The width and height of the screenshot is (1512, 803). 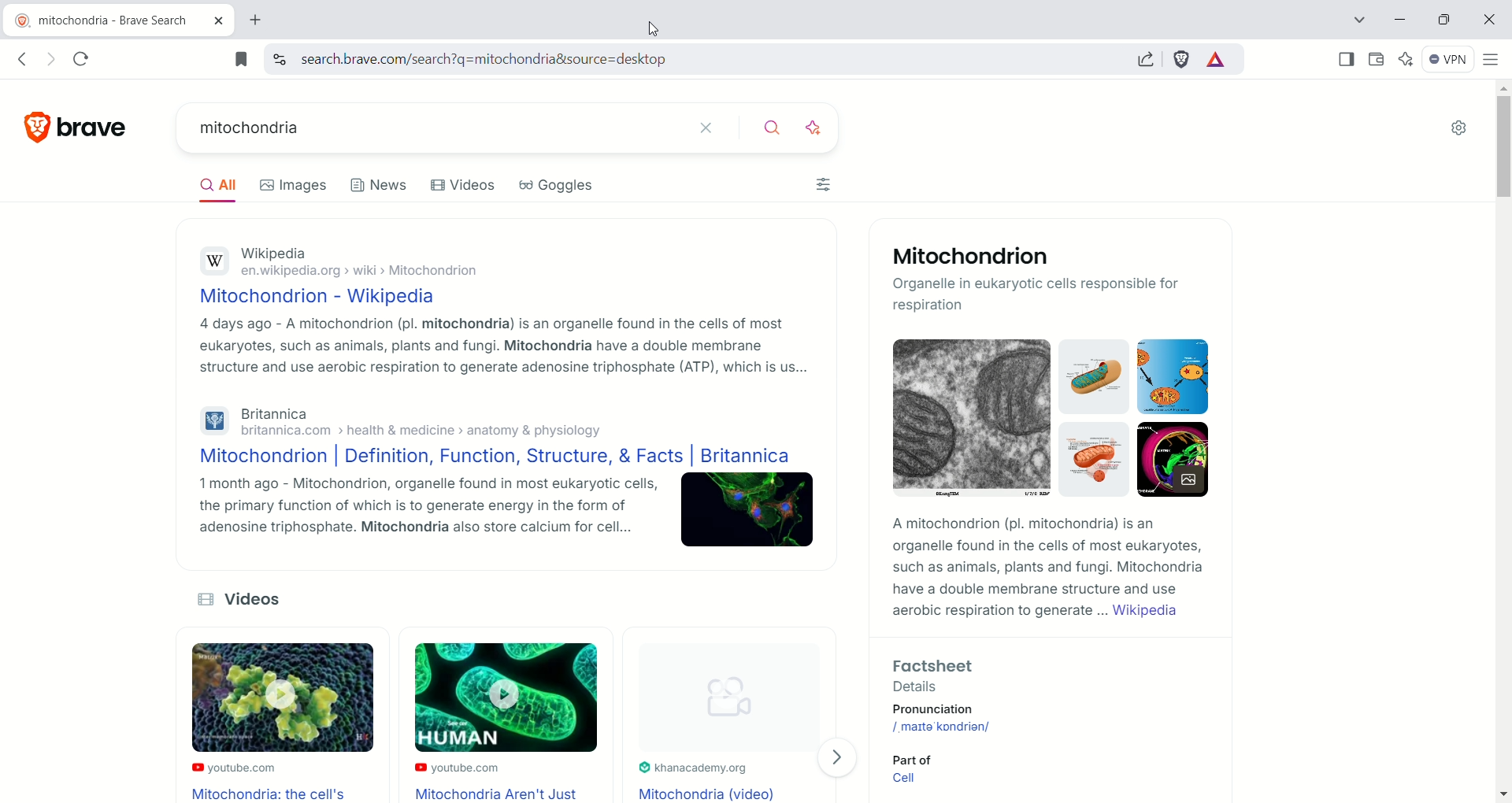 What do you see at coordinates (956, 709) in the screenshot?
I see `pronunciation` at bounding box center [956, 709].